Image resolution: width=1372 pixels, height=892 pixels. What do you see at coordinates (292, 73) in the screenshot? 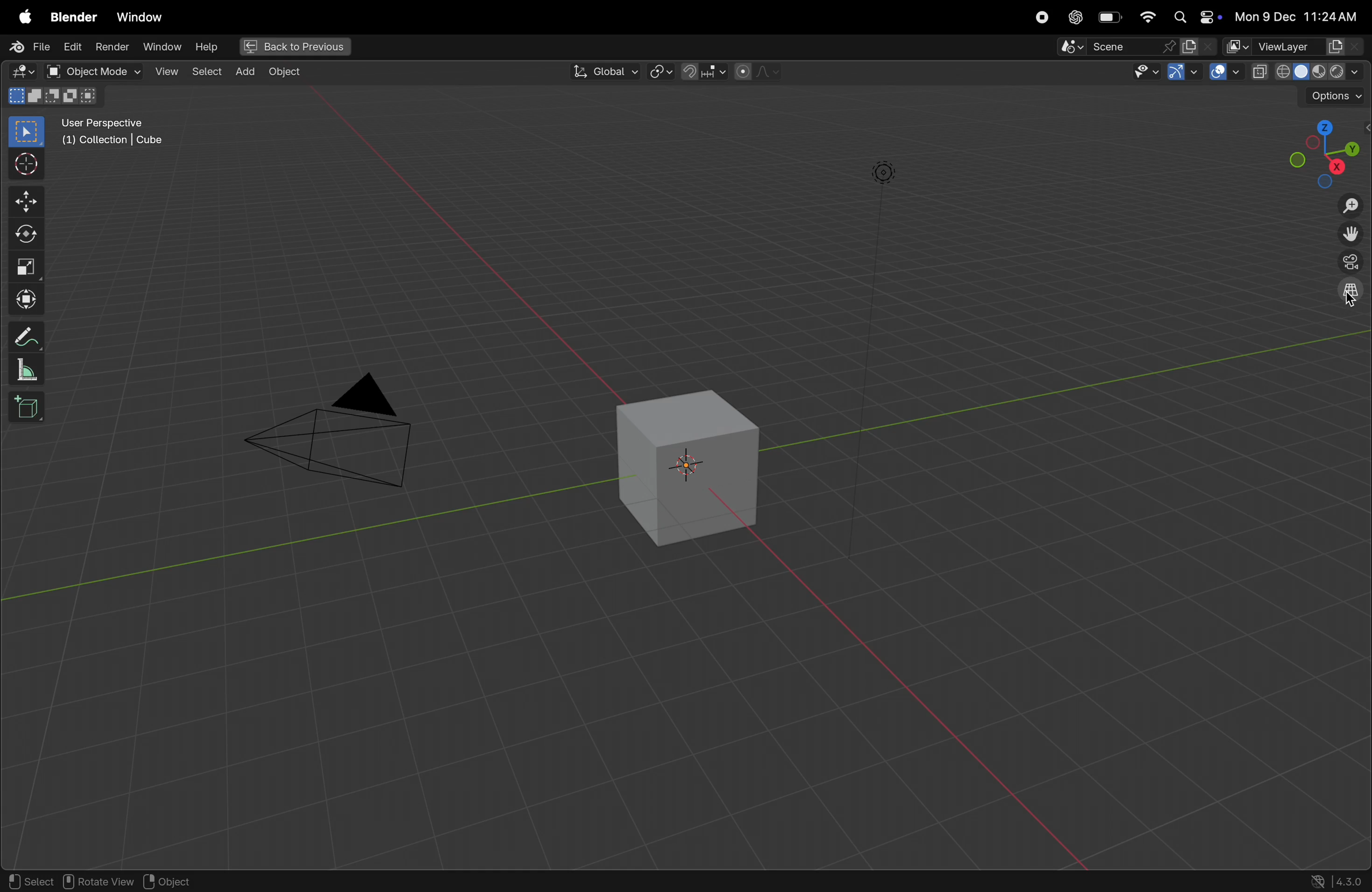
I see `objects` at bounding box center [292, 73].